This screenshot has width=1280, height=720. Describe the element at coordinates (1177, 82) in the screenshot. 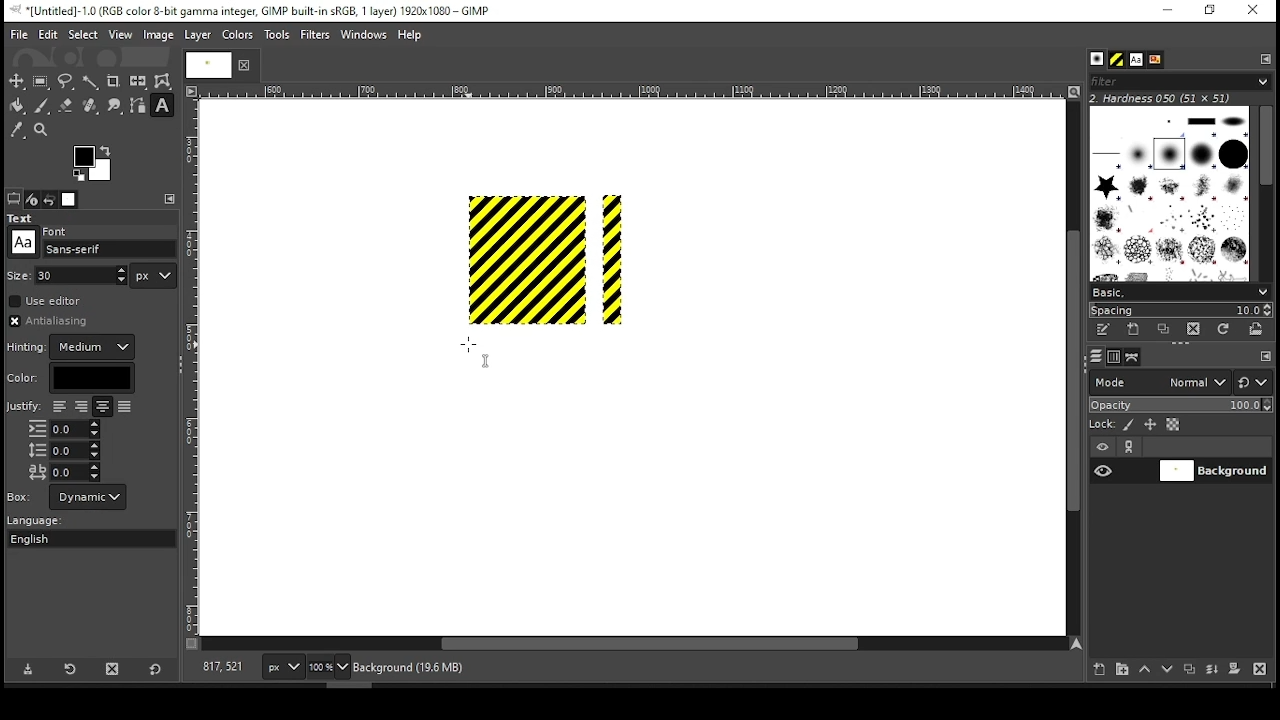

I see `filters` at that location.